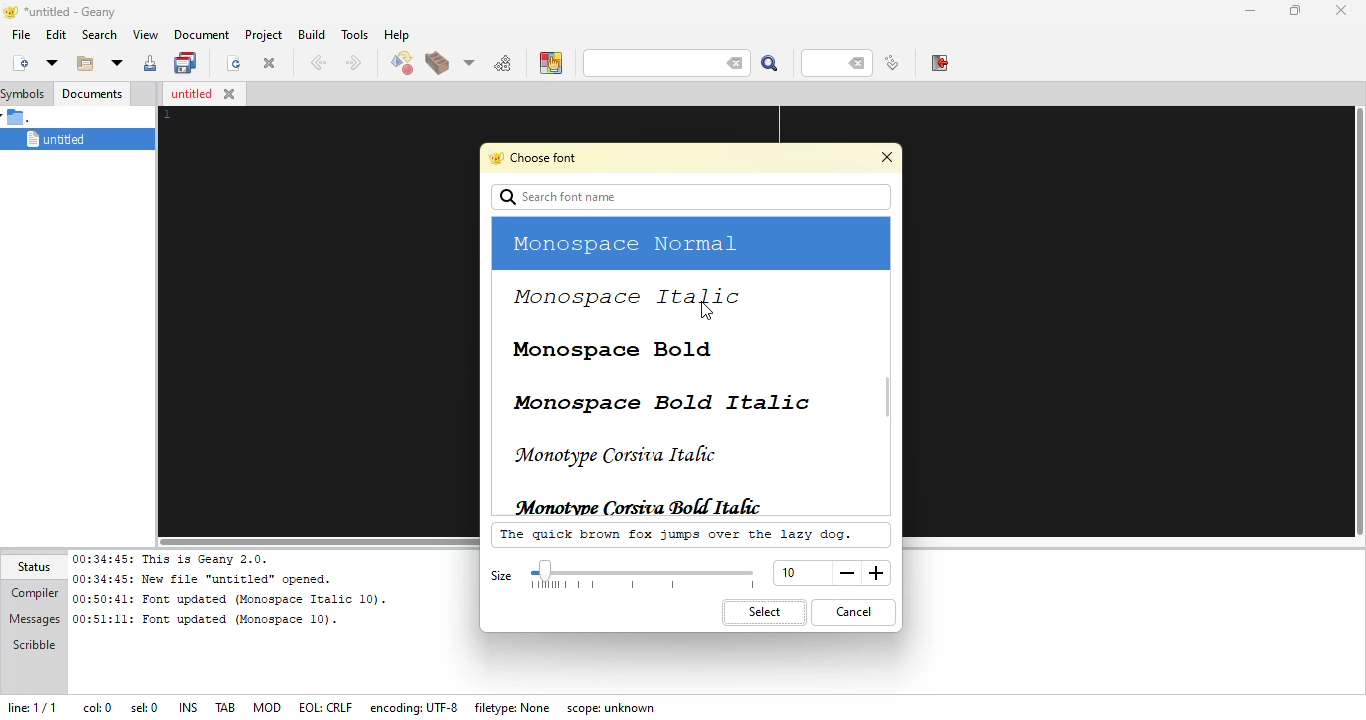  What do you see at coordinates (501, 576) in the screenshot?
I see `size` at bounding box center [501, 576].